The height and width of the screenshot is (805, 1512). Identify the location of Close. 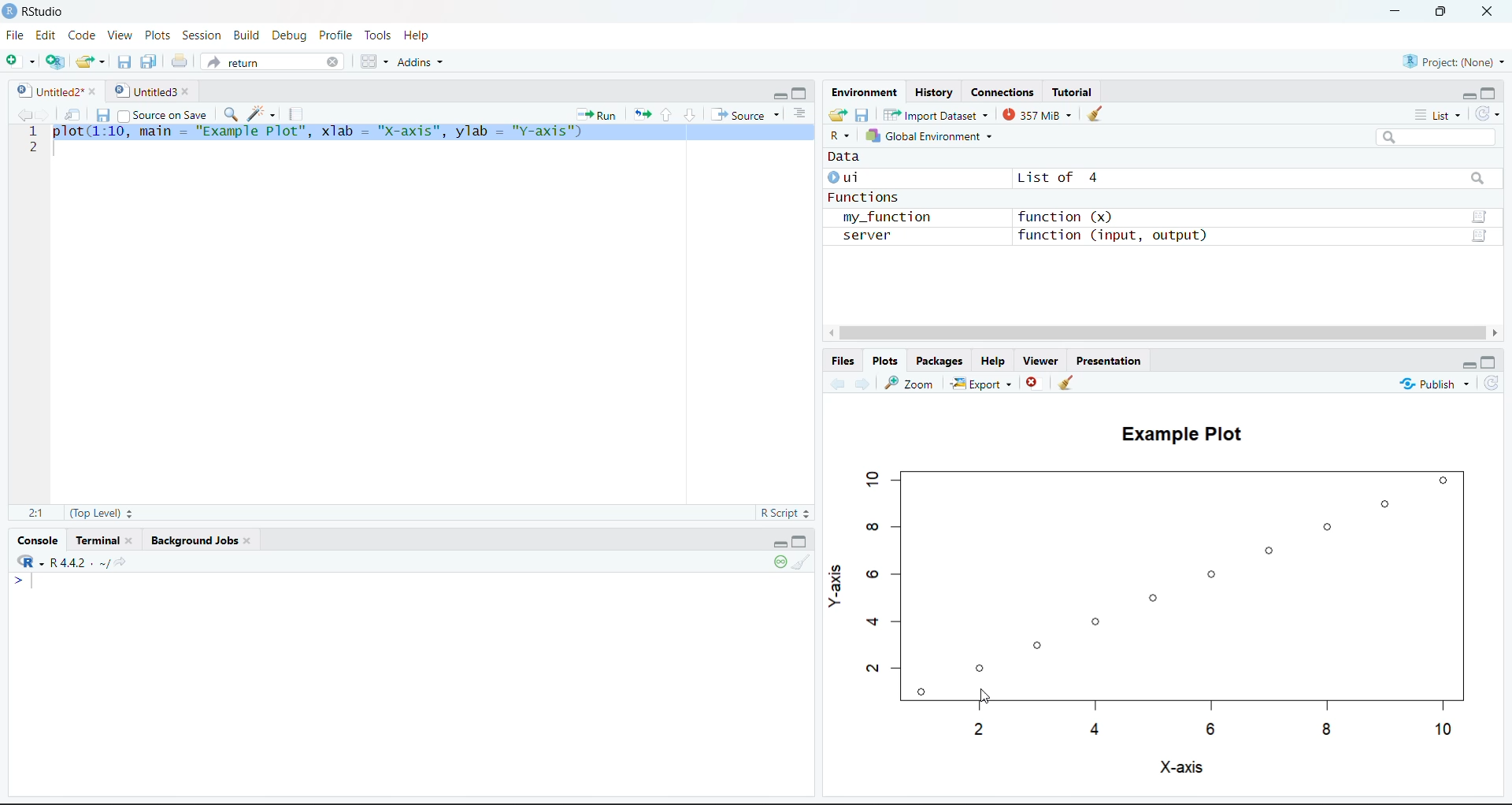
(1490, 13).